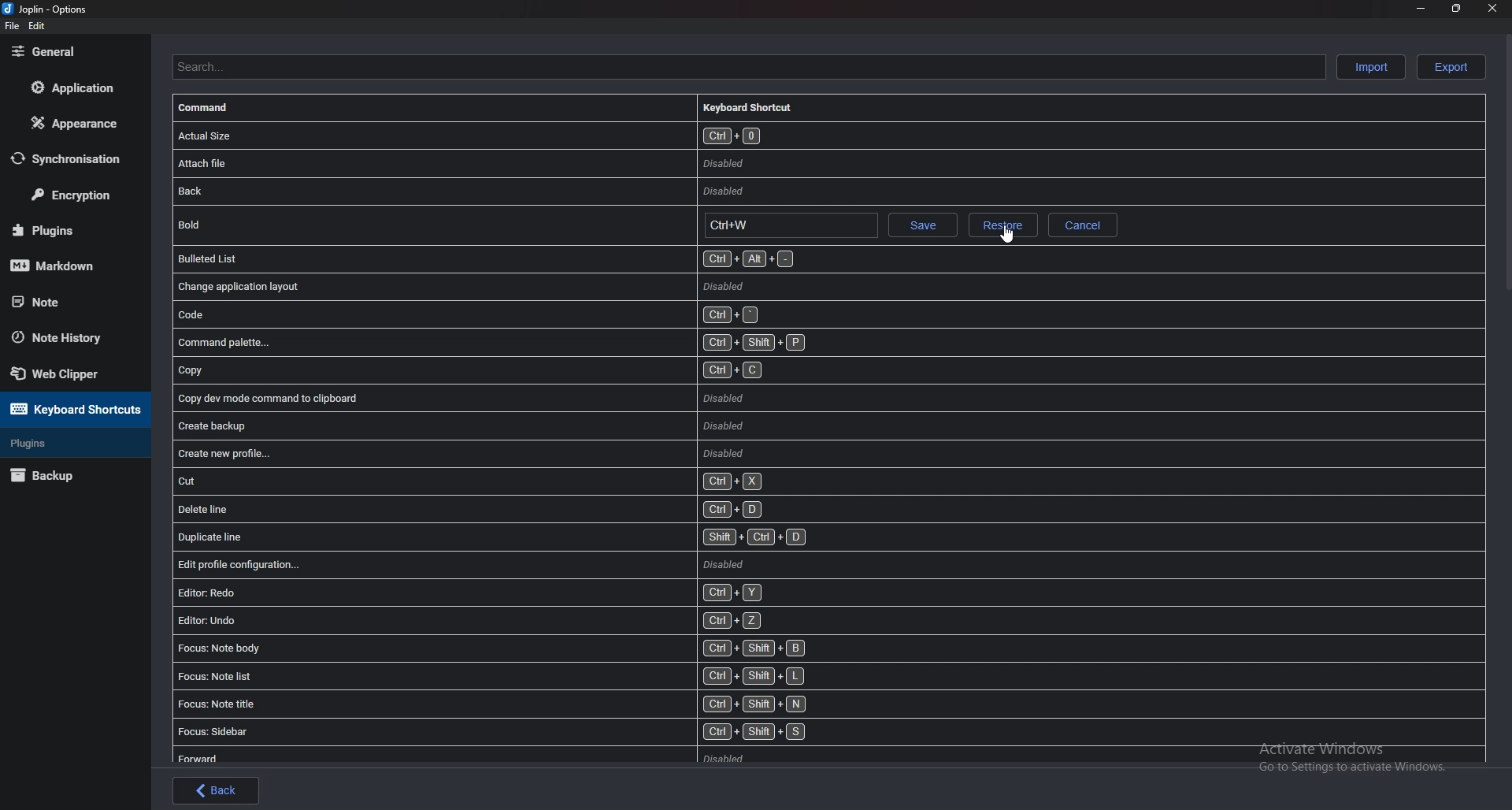 This screenshot has width=1512, height=810. What do you see at coordinates (745, 66) in the screenshot?
I see `search` at bounding box center [745, 66].